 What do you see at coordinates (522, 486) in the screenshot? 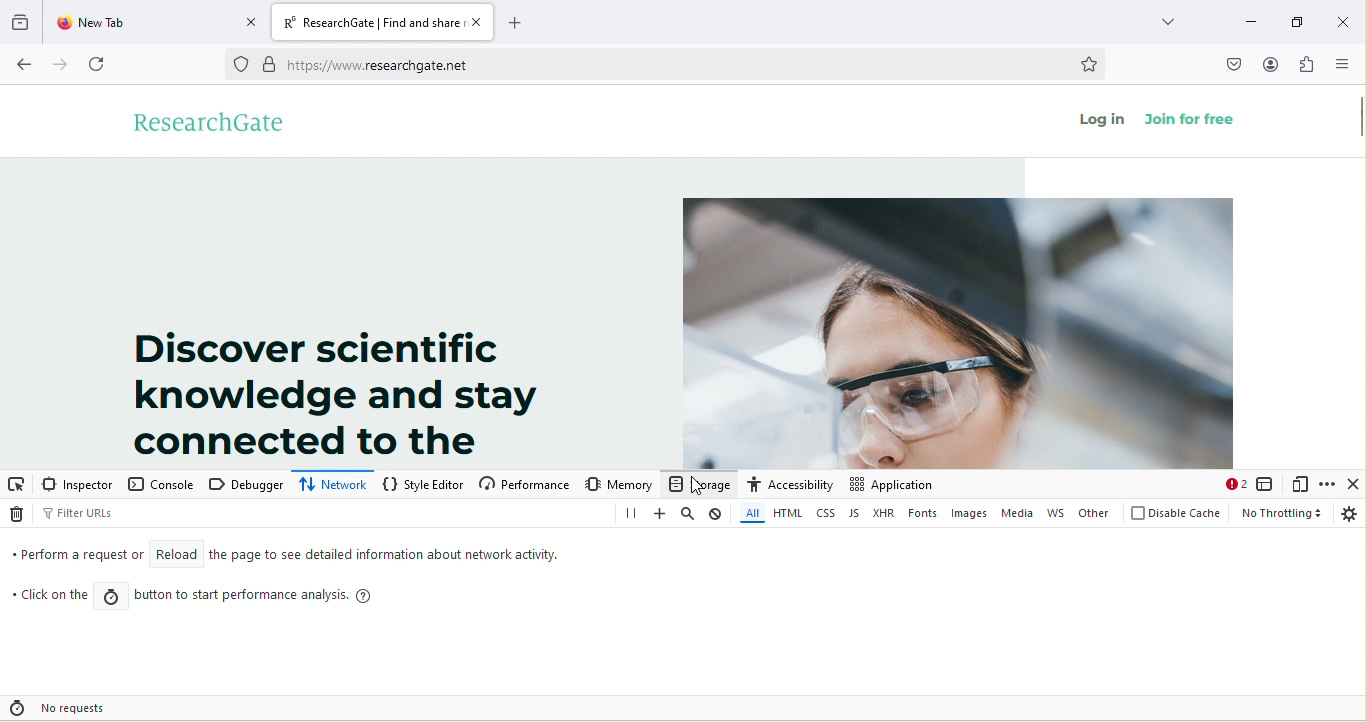
I see `performance` at bounding box center [522, 486].